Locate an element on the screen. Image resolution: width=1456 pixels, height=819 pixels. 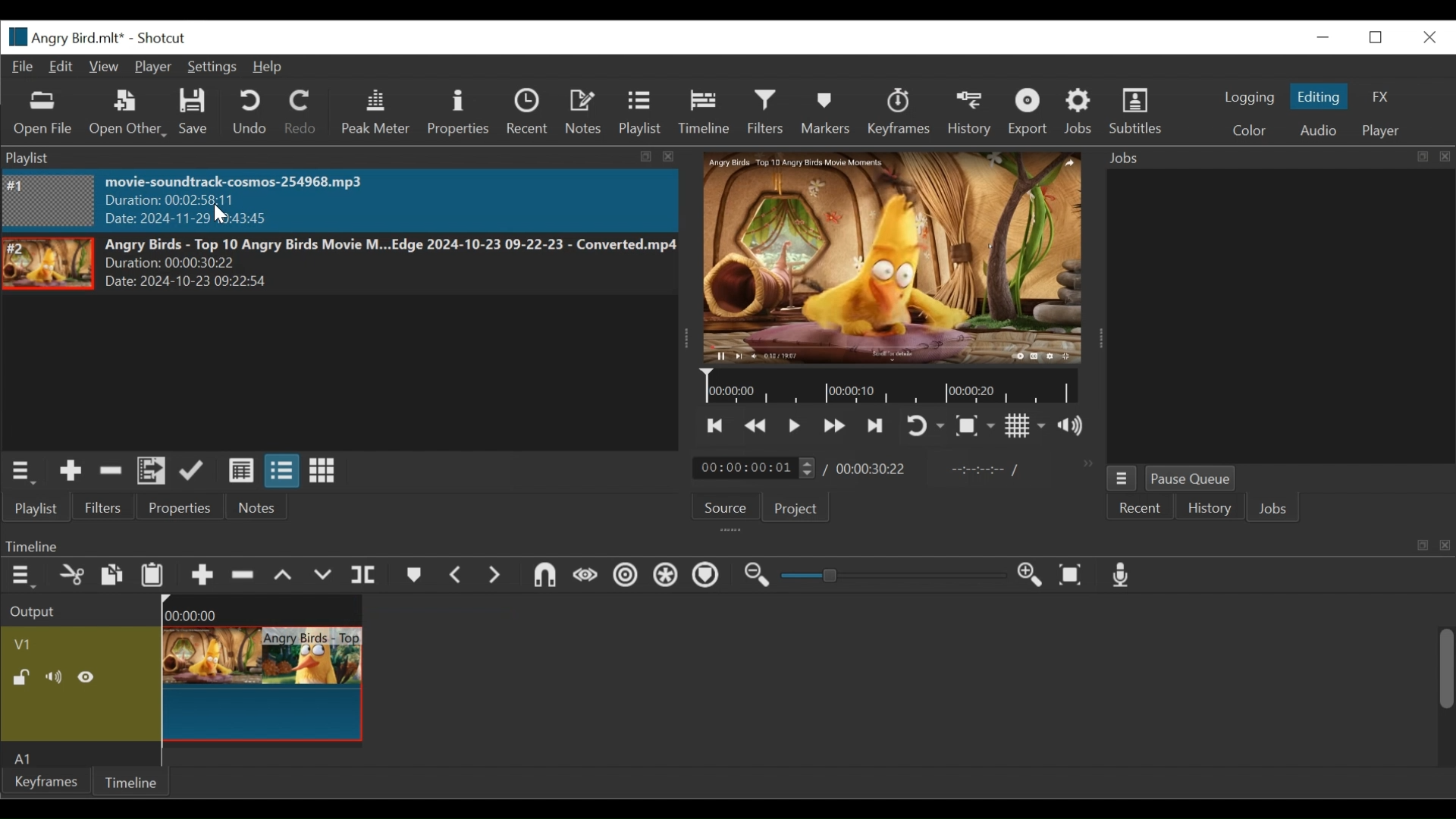
Show volume control is located at coordinates (1075, 428).